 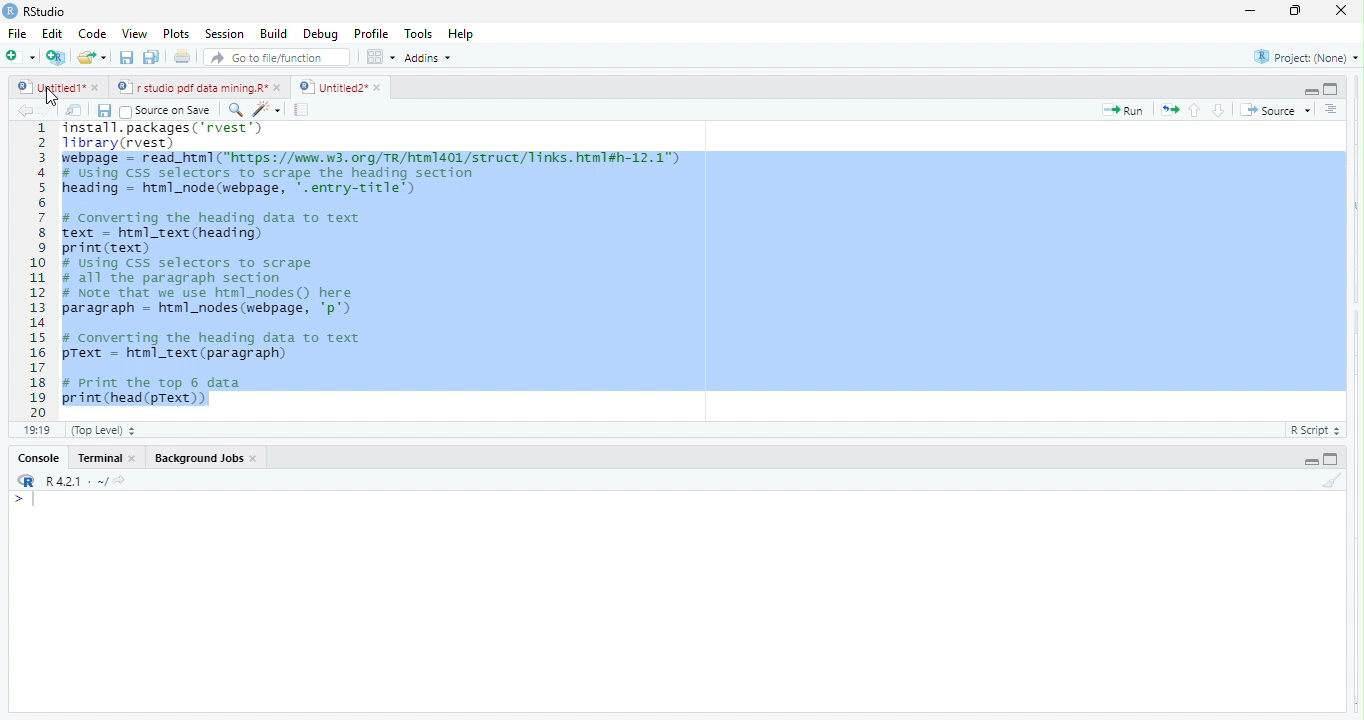 I want to click on go back to the previous source location, so click(x=25, y=110).